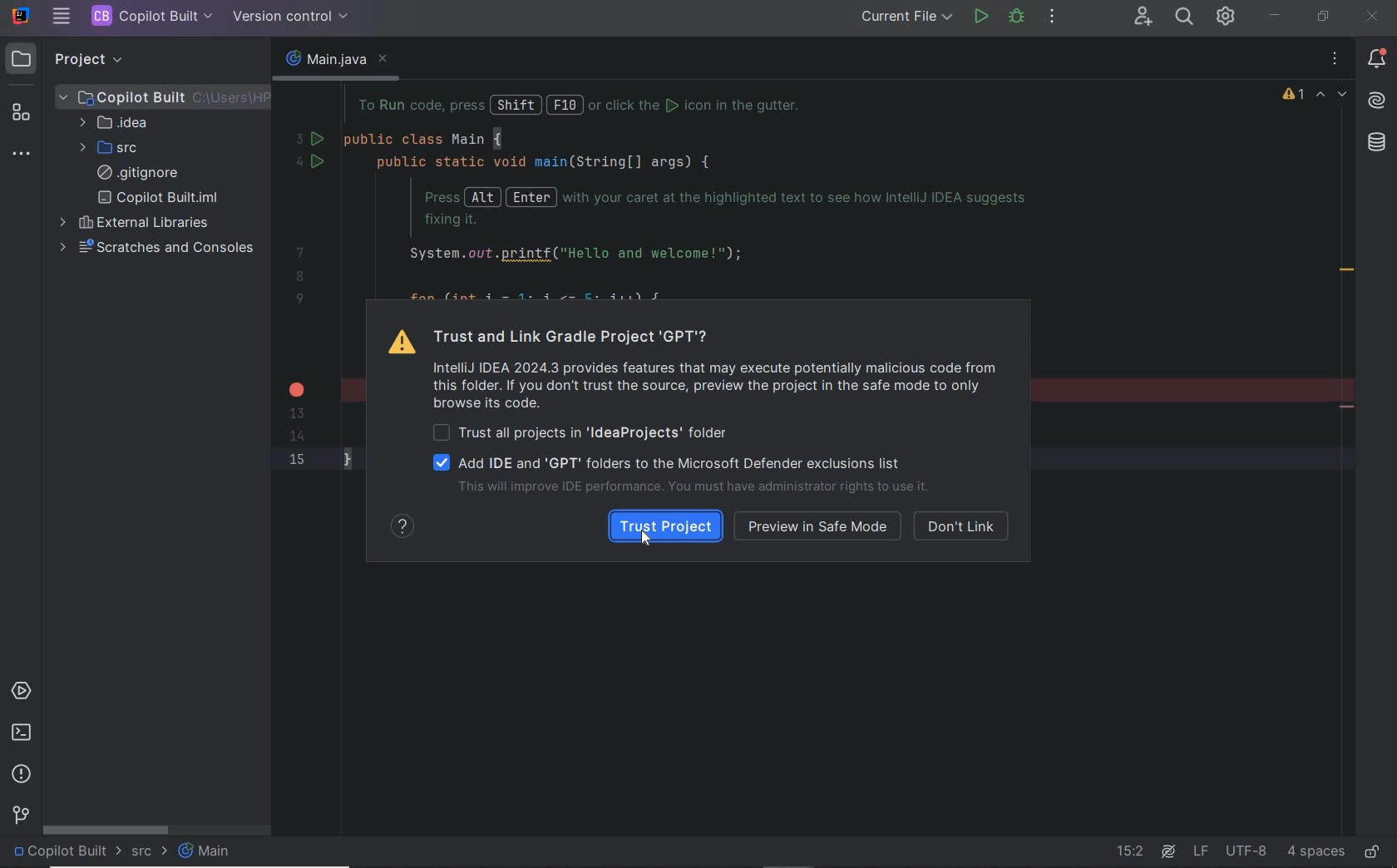 This screenshot has width=1397, height=868. I want to click on preview in safe mode, so click(819, 525).